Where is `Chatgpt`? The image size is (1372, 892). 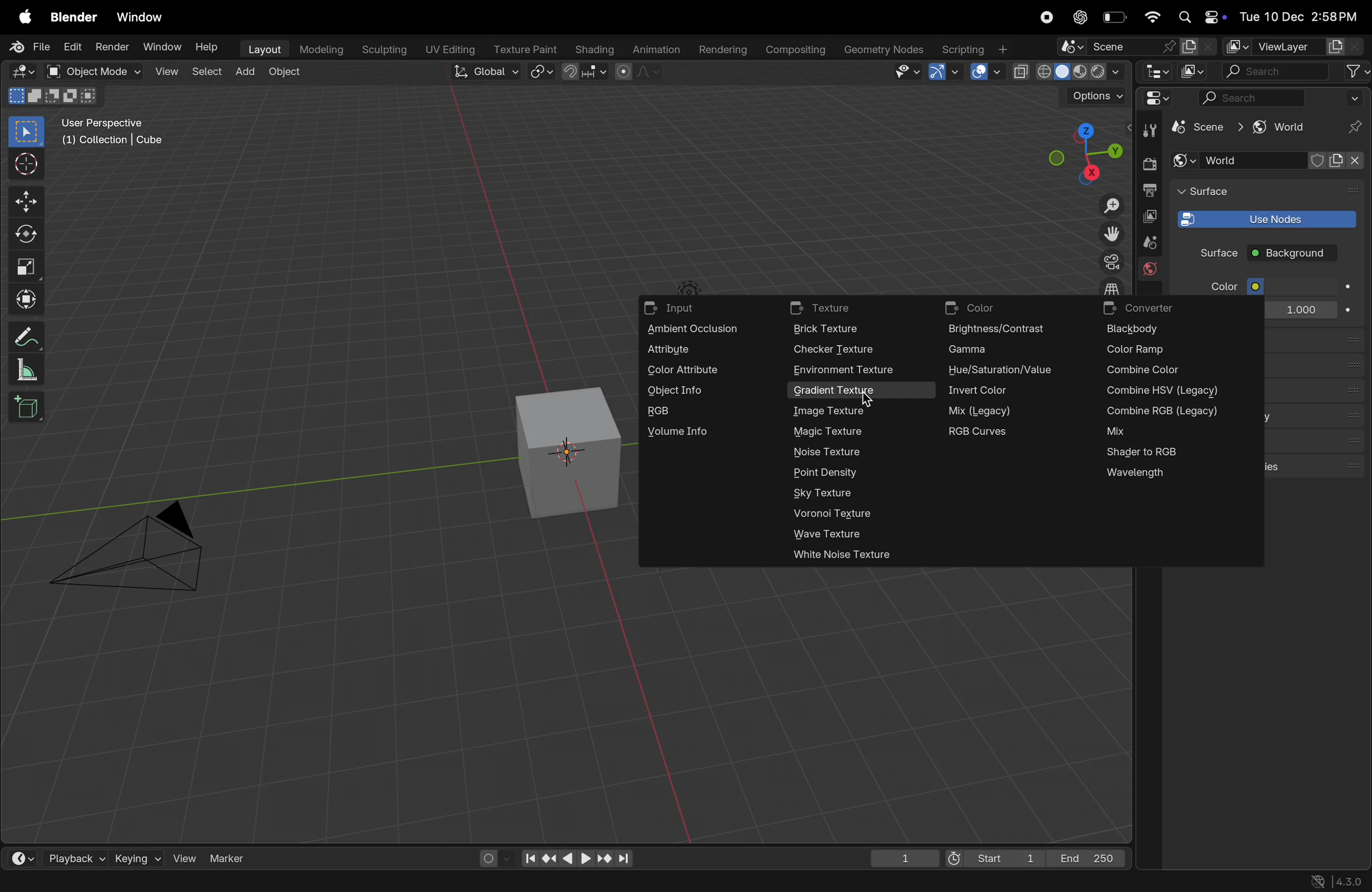 Chatgpt is located at coordinates (1079, 17).